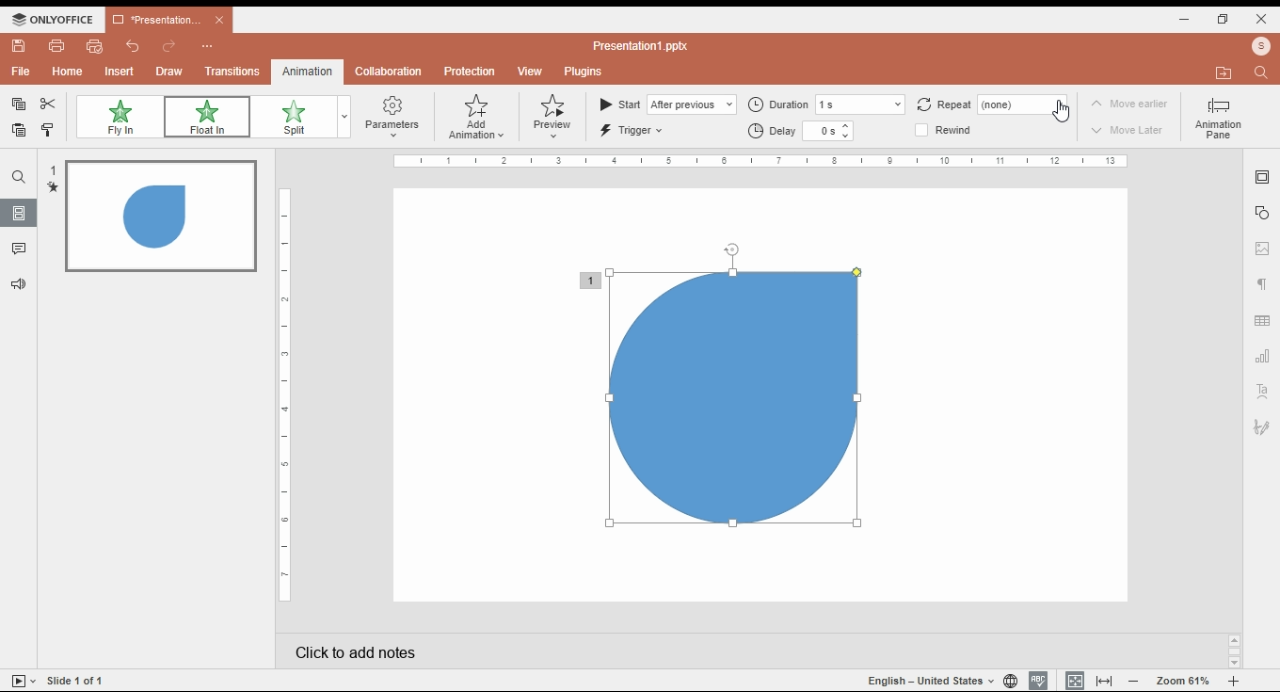  What do you see at coordinates (1262, 248) in the screenshot?
I see `image settings` at bounding box center [1262, 248].